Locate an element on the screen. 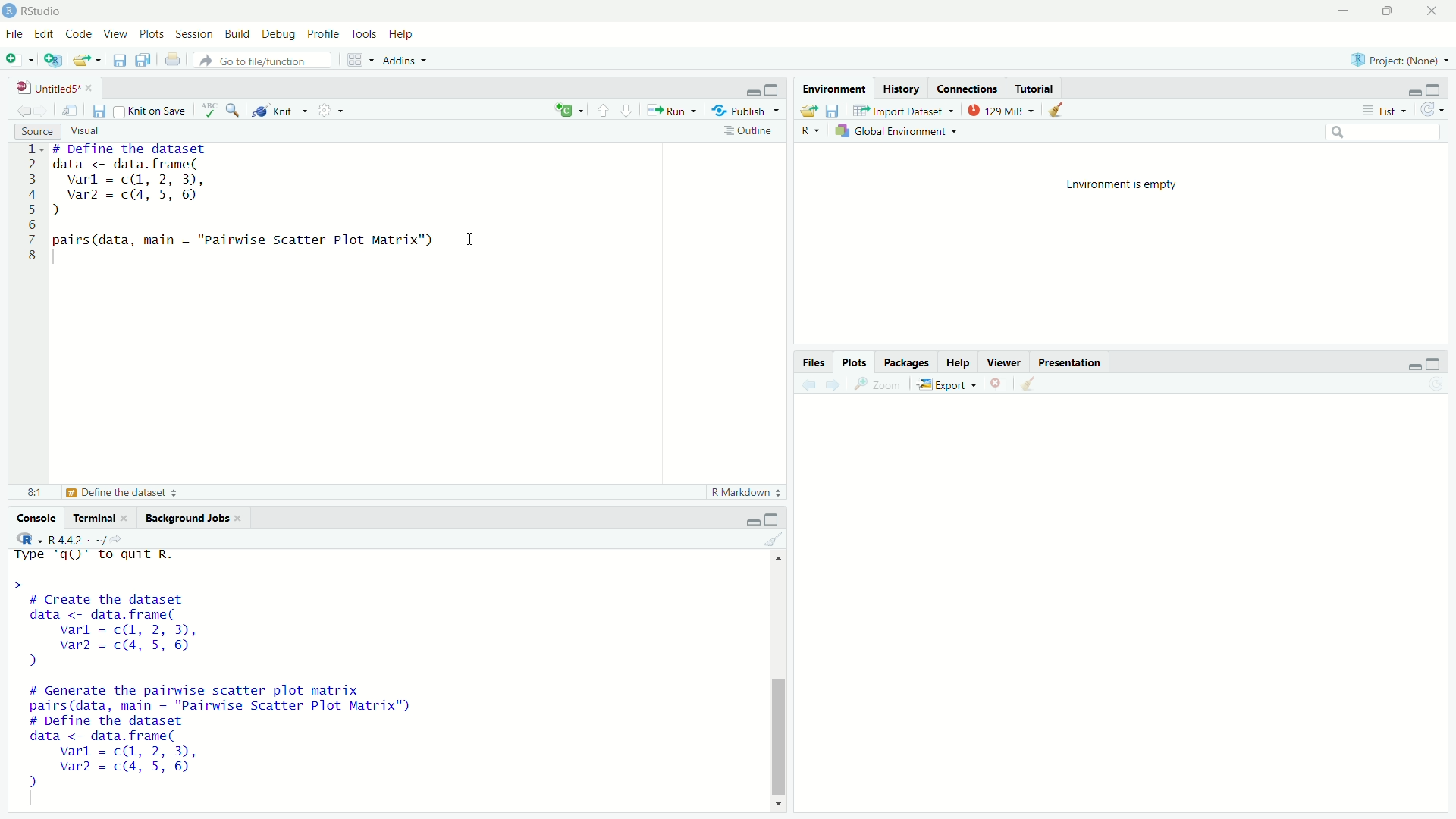  Untitled5* is located at coordinates (56, 88).